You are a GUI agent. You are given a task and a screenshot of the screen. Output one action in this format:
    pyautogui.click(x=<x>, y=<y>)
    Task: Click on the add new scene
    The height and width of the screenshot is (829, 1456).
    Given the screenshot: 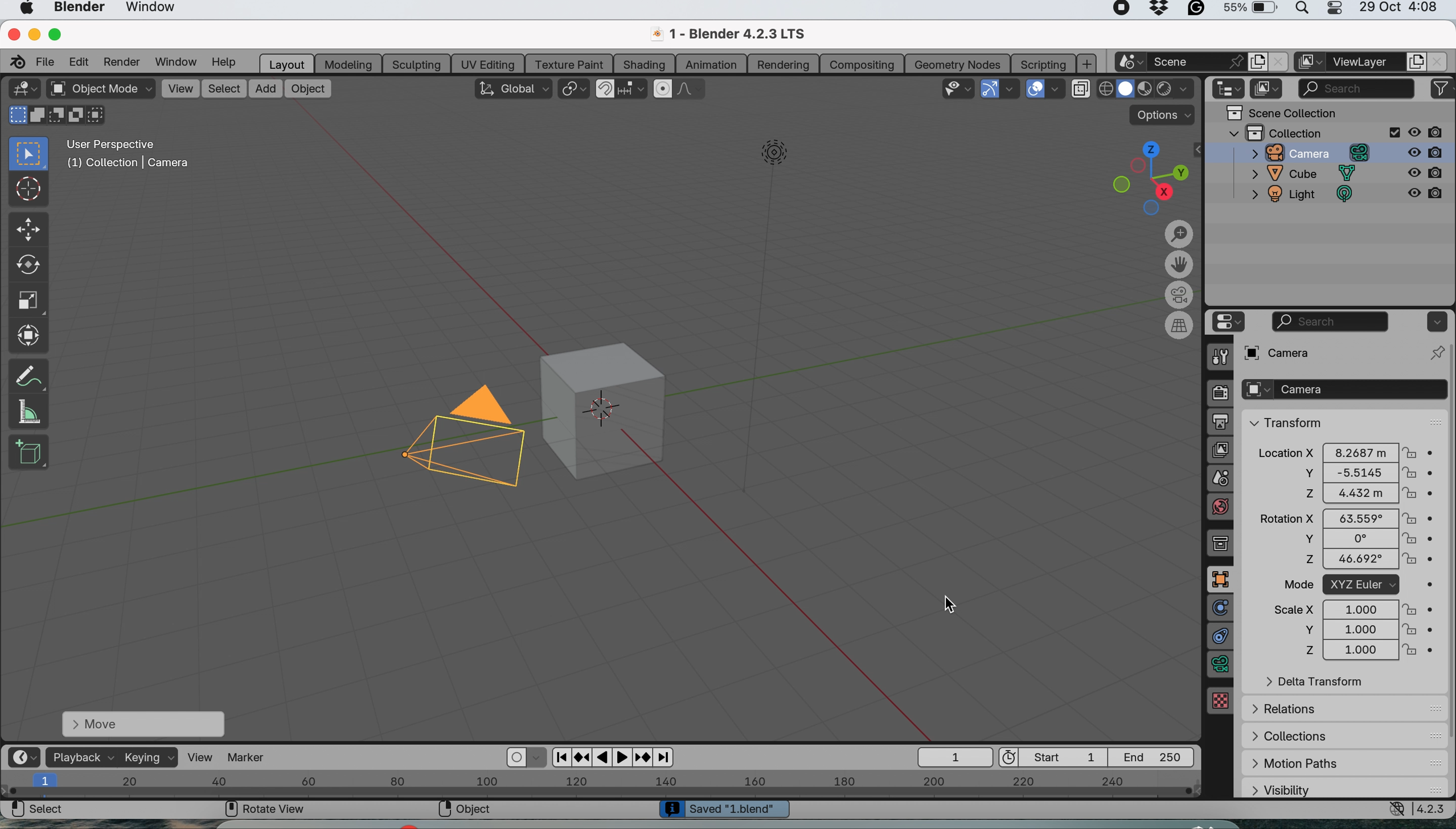 What is the action you would take?
    pyautogui.click(x=1257, y=62)
    